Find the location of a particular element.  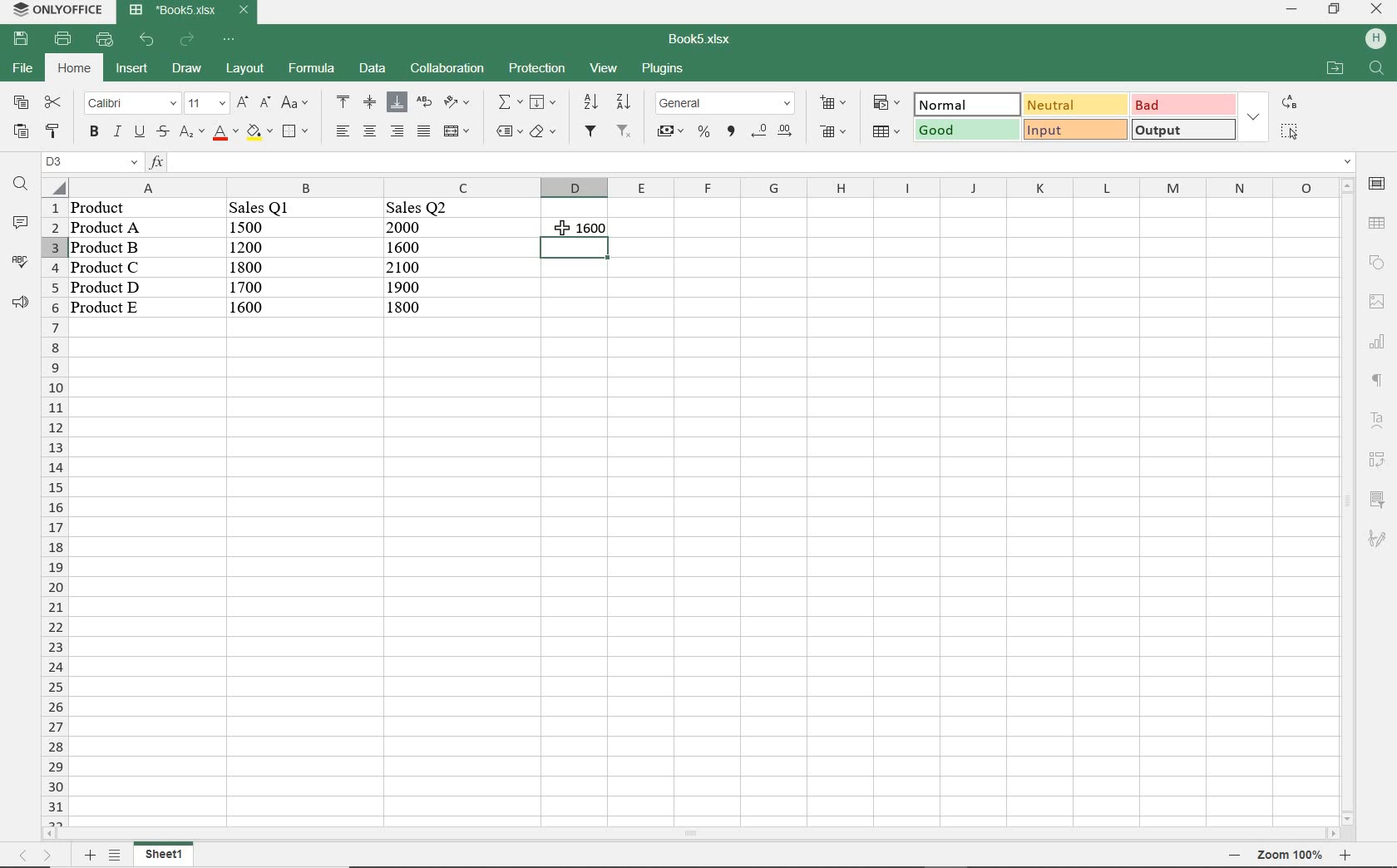

align middle is located at coordinates (370, 104).